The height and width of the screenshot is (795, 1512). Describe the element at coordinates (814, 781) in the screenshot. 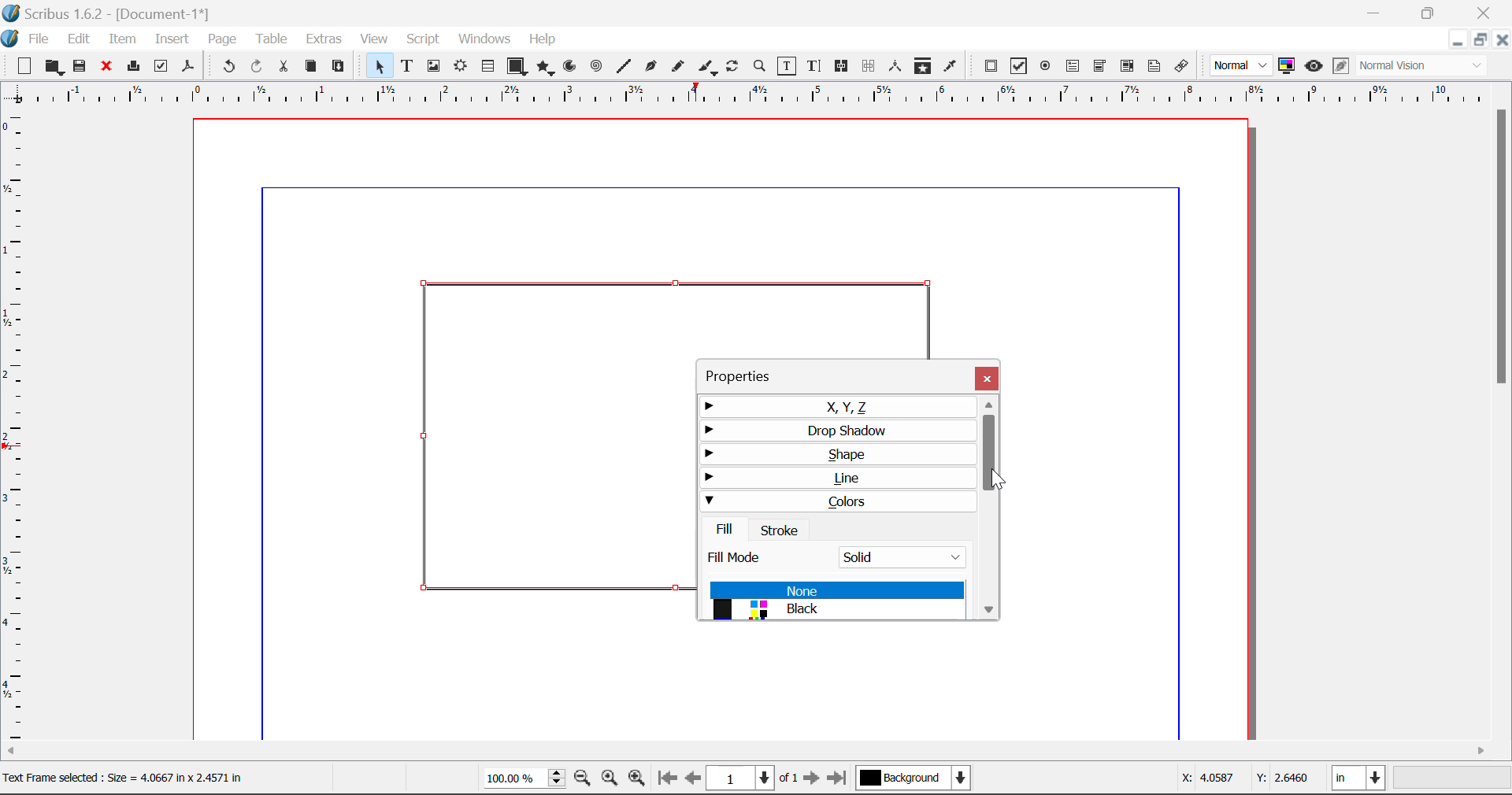

I see `Next Page` at that location.